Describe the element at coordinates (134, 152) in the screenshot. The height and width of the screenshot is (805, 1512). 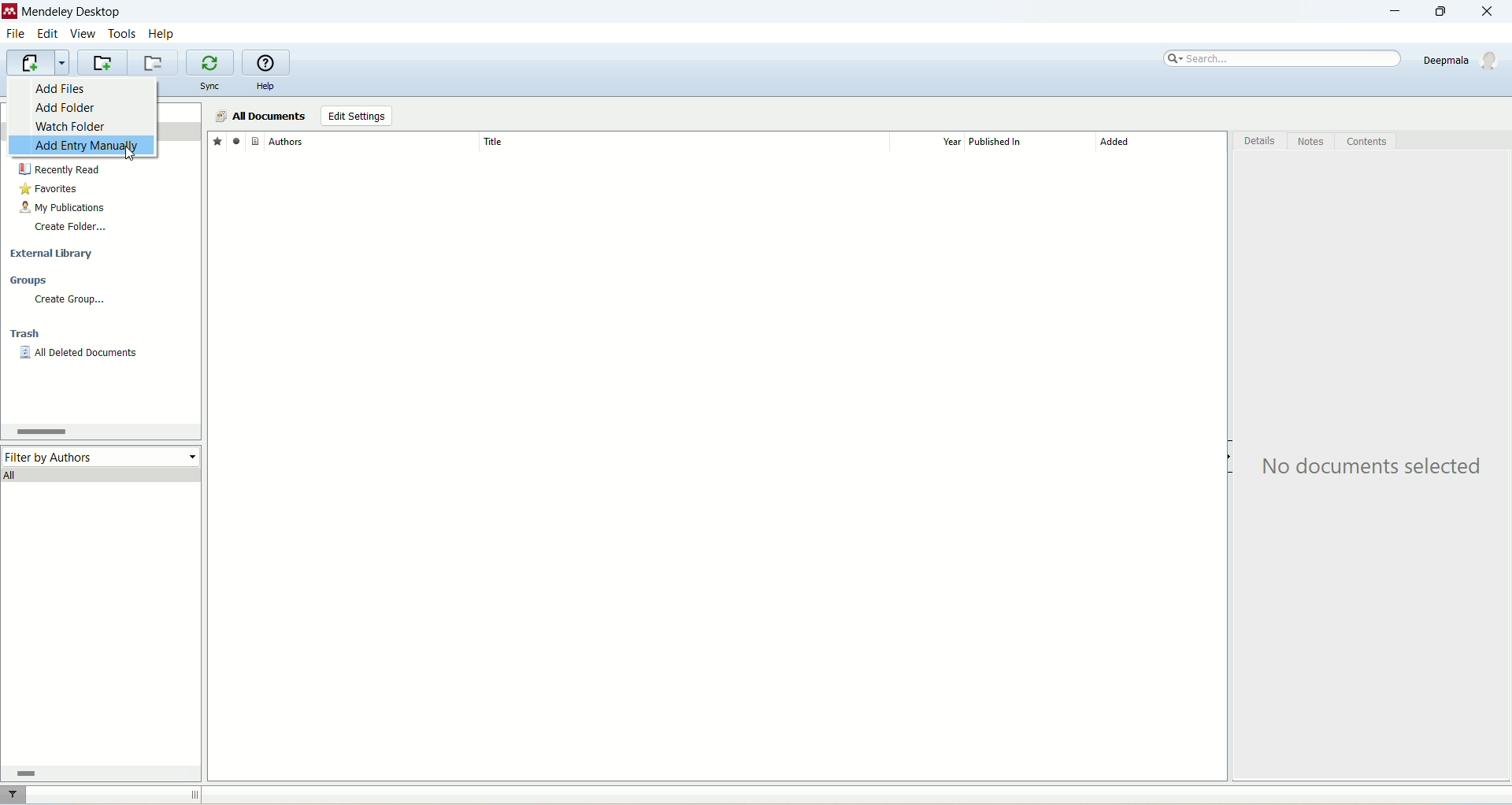
I see `cursor` at that location.